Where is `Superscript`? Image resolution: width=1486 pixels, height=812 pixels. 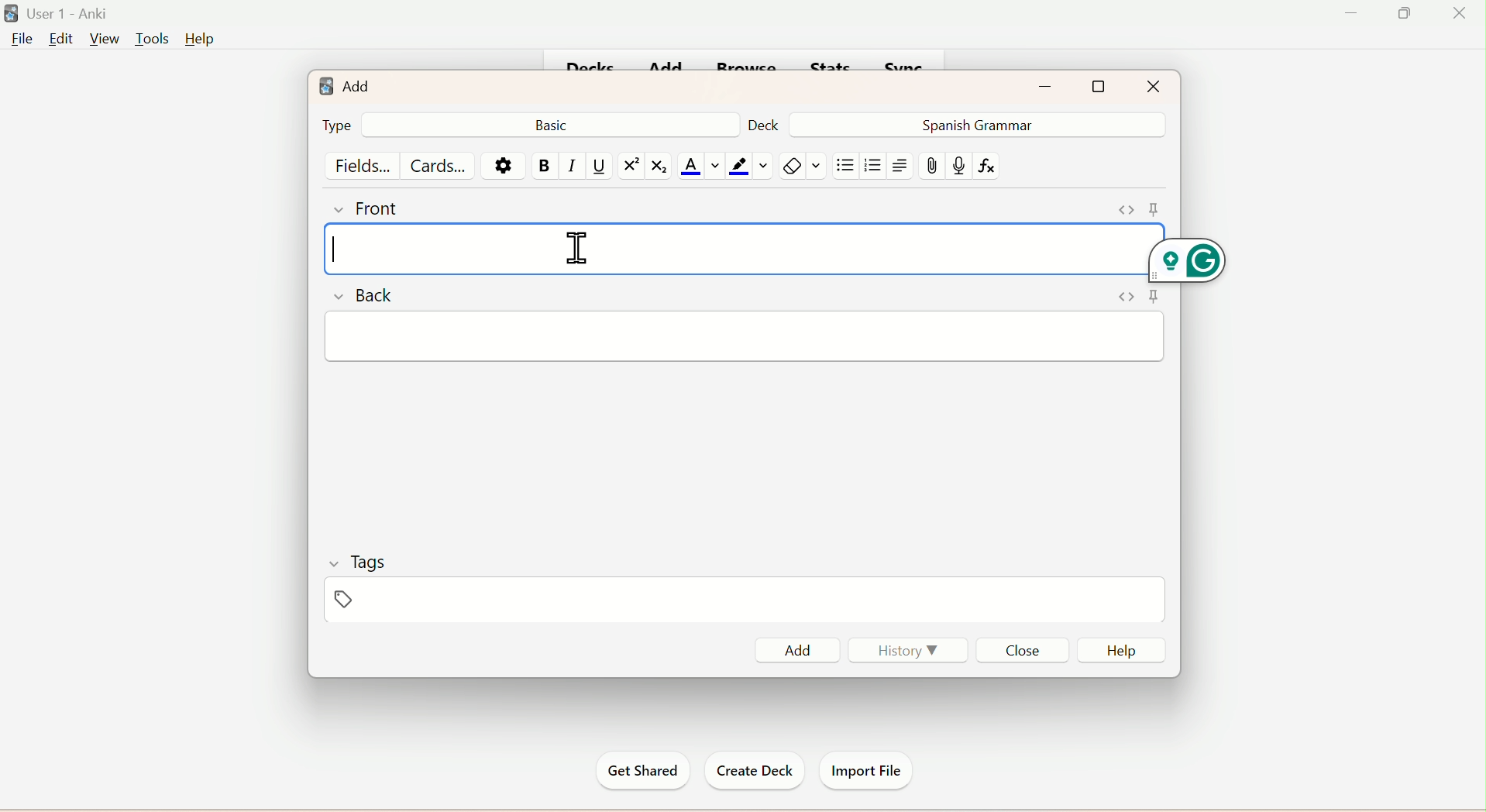 Superscript is located at coordinates (628, 166).